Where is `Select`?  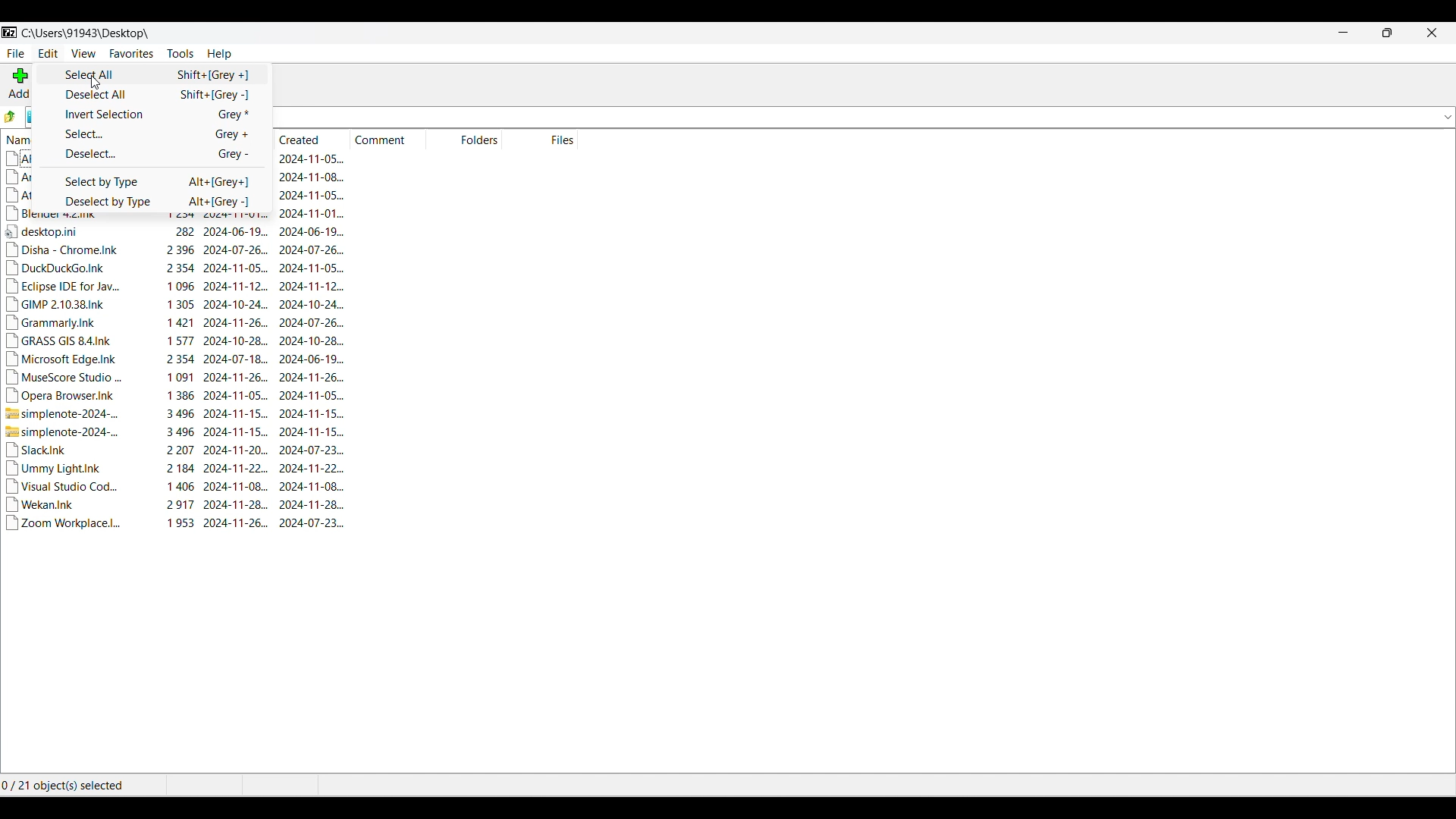 Select is located at coordinates (153, 134).